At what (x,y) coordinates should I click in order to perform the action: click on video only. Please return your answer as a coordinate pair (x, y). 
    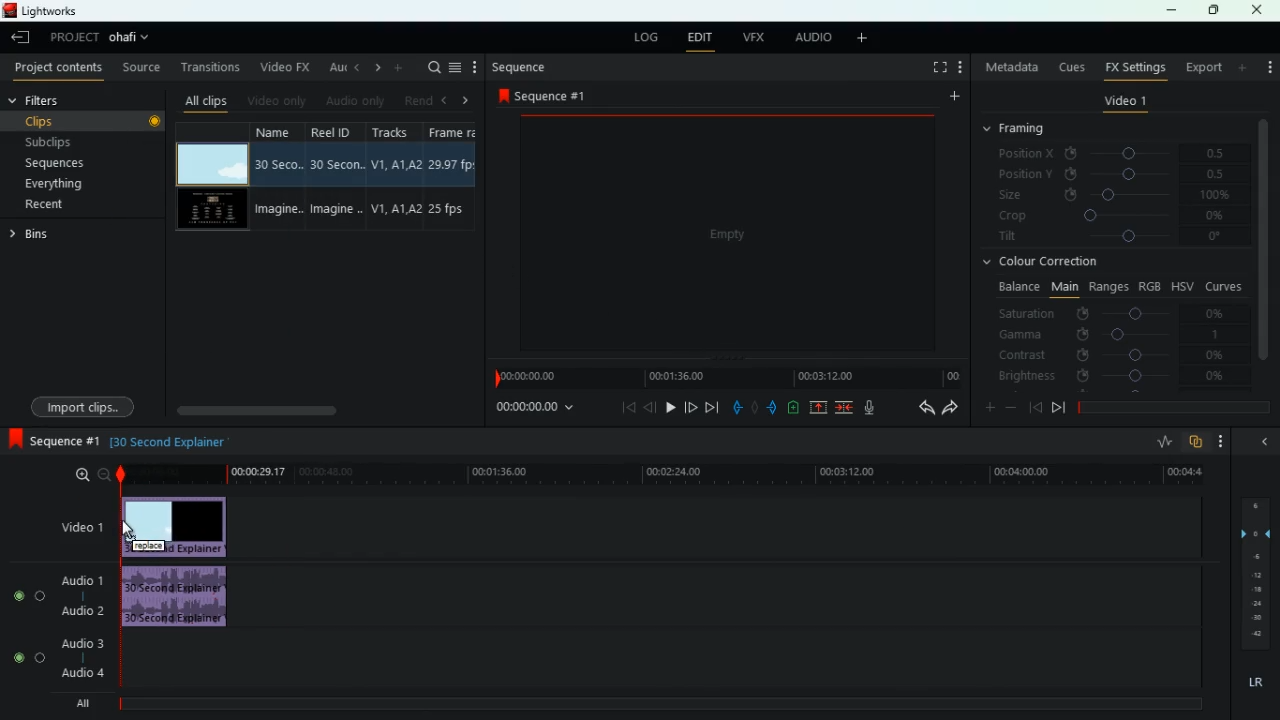
    Looking at the image, I should click on (277, 100).